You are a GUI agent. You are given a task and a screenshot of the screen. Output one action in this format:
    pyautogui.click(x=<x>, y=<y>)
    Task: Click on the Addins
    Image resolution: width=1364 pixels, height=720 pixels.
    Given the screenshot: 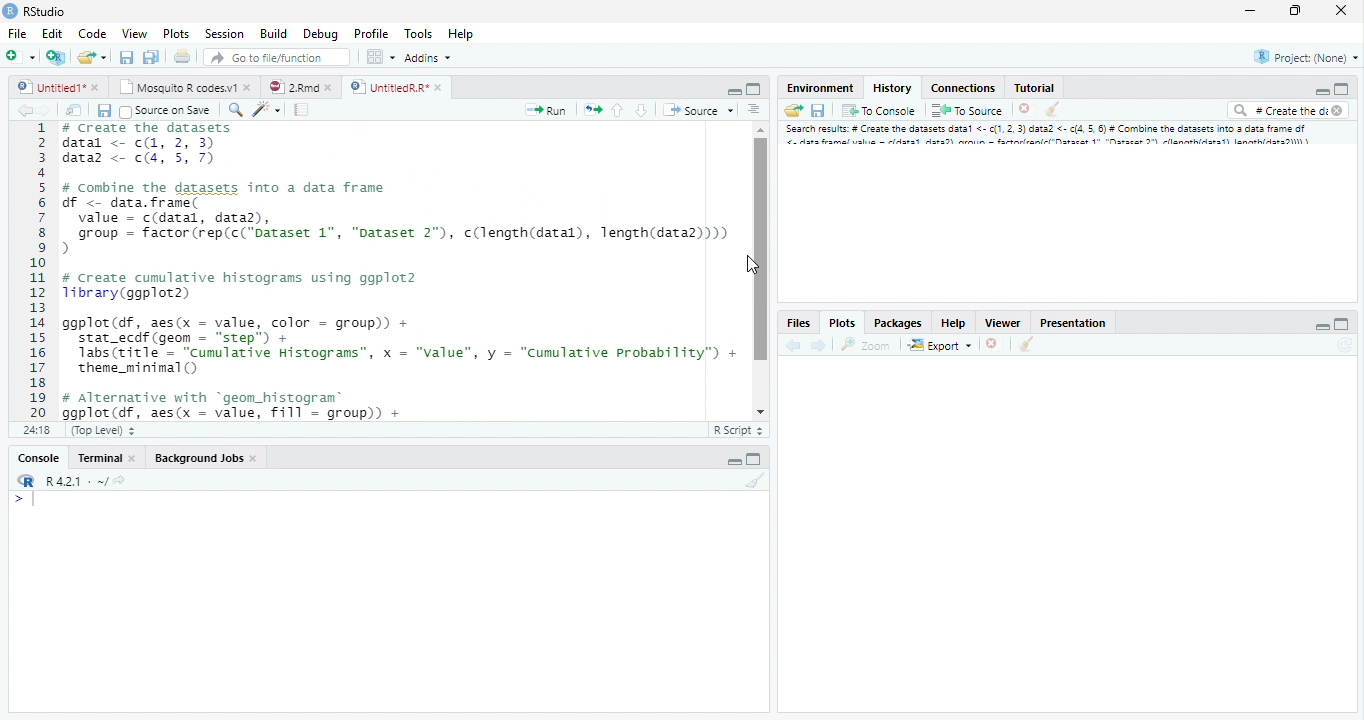 What is the action you would take?
    pyautogui.click(x=429, y=59)
    